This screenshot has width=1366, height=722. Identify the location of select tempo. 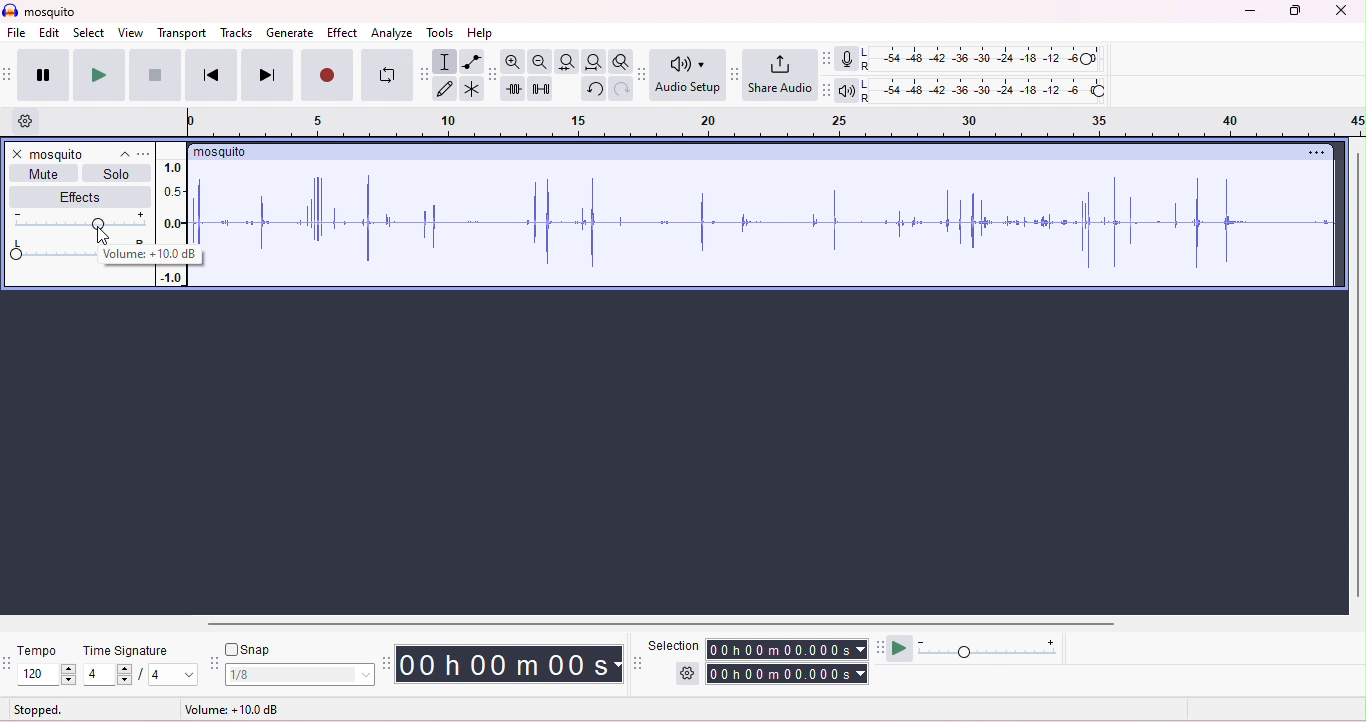
(46, 674).